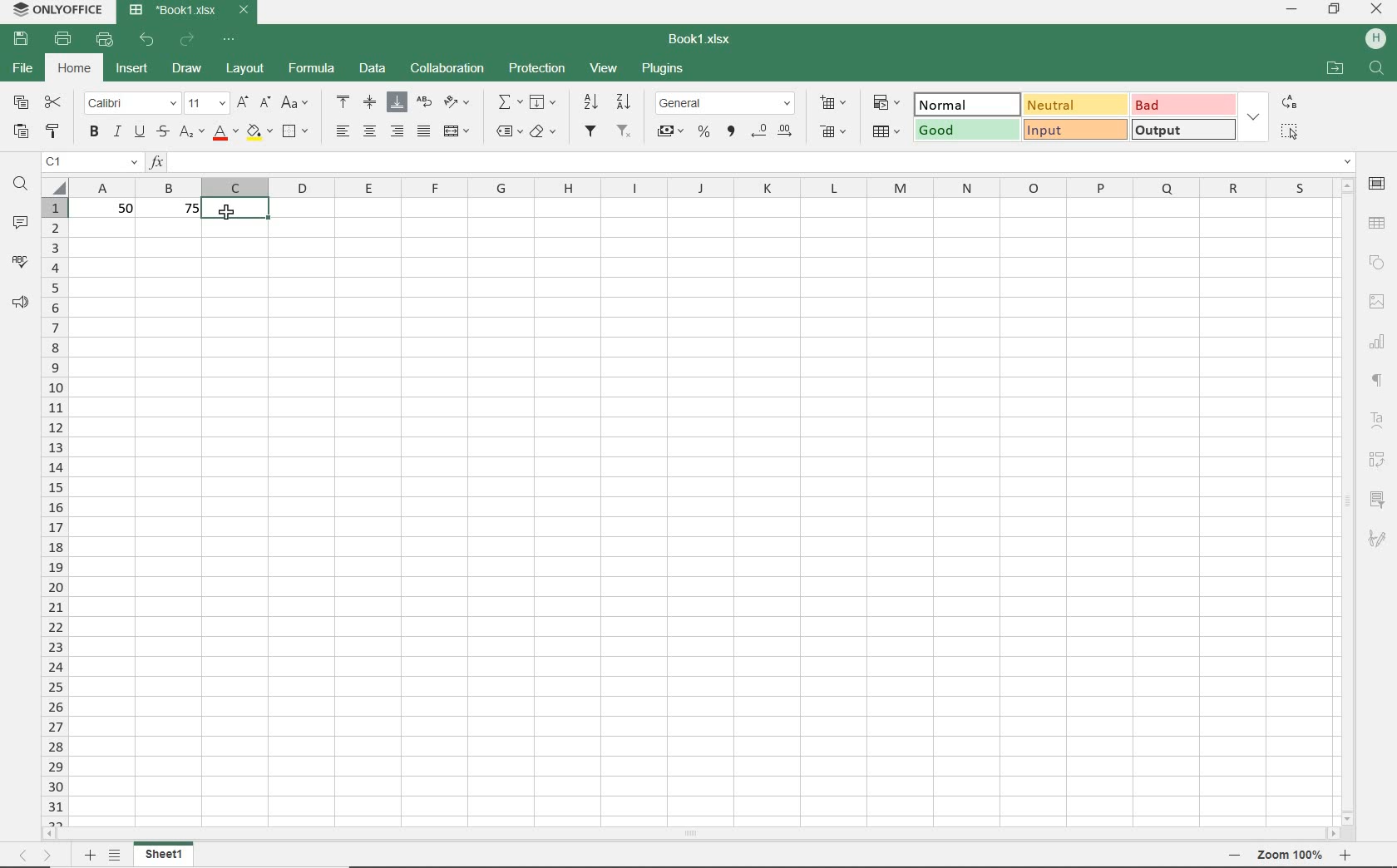 Image resolution: width=1397 pixels, height=868 pixels. What do you see at coordinates (21, 101) in the screenshot?
I see `copy` at bounding box center [21, 101].